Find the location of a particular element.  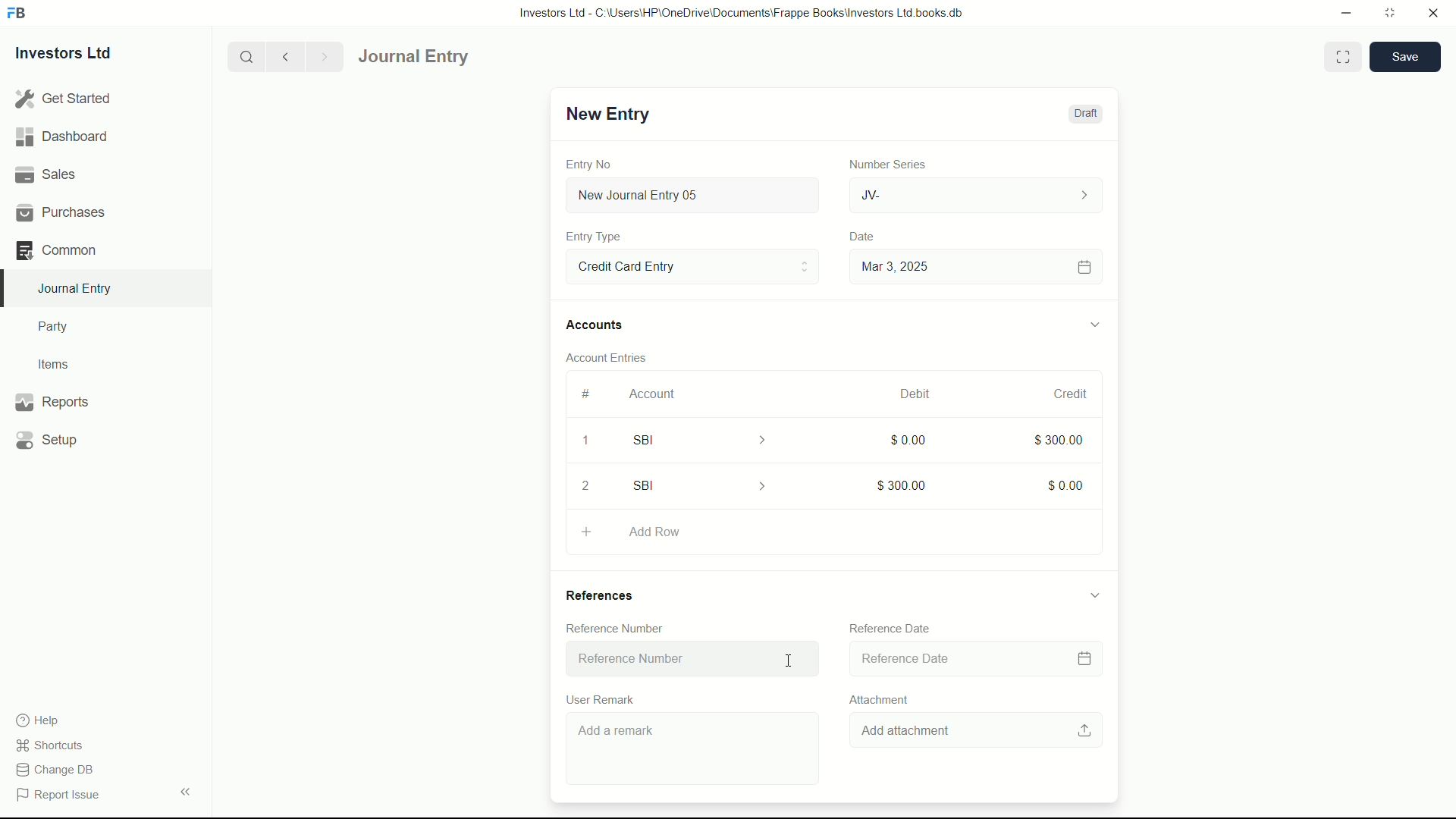

User Remark is located at coordinates (604, 698).